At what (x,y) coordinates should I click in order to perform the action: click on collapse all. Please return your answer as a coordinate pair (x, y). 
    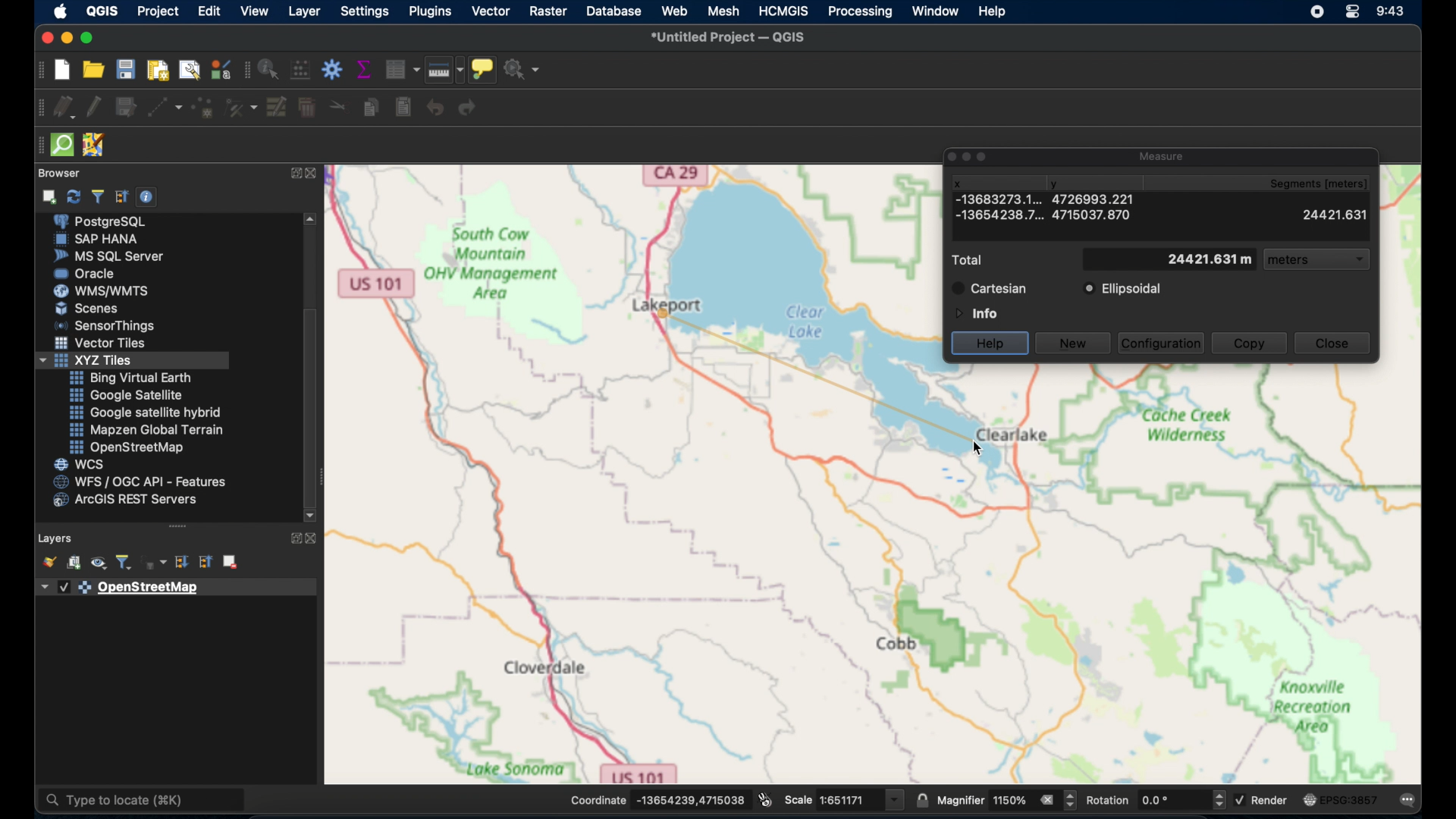
    Looking at the image, I should click on (121, 195).